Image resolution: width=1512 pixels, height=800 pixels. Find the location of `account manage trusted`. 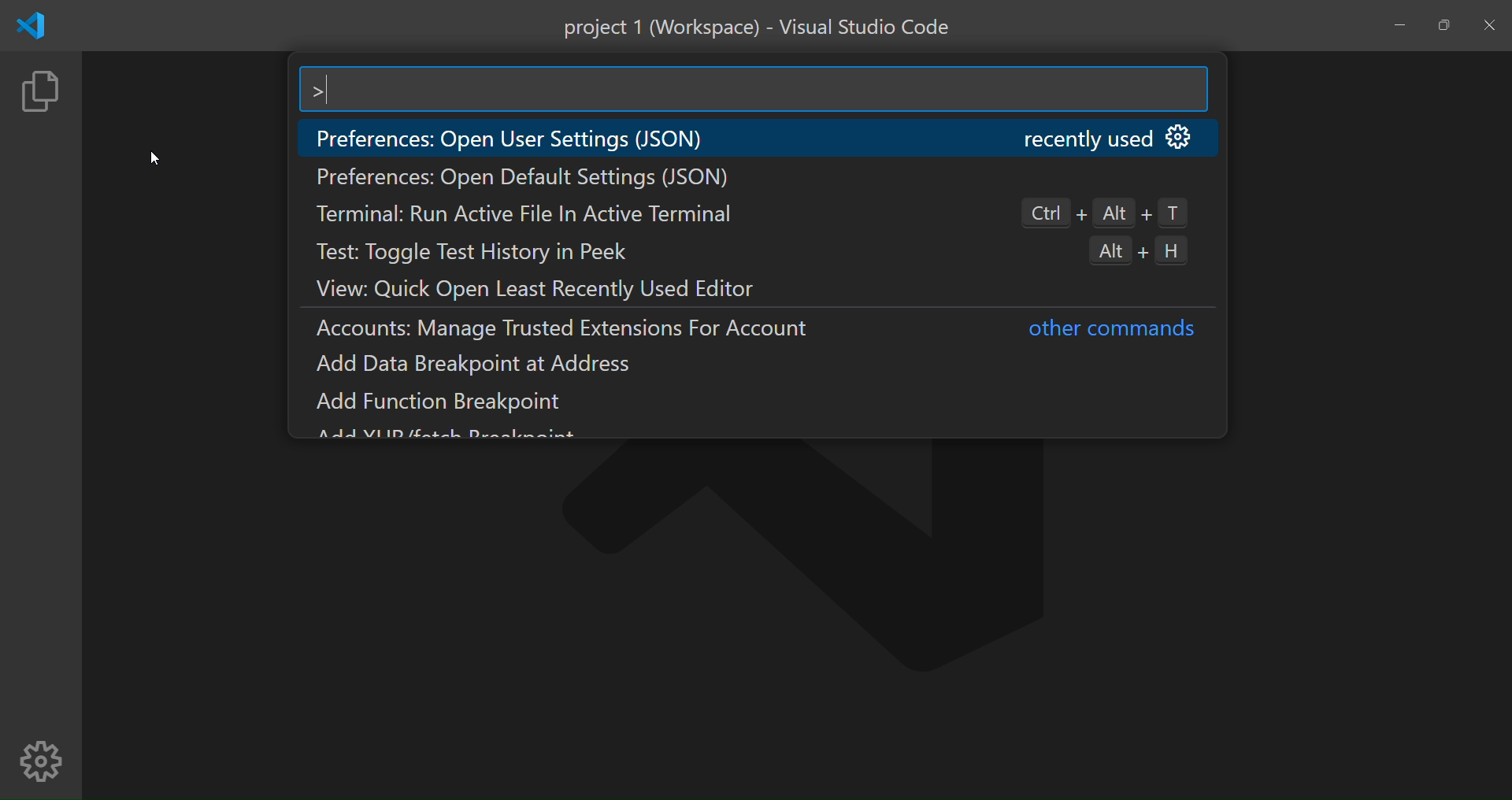

account manage trusted is located at coordinates (576, 332).